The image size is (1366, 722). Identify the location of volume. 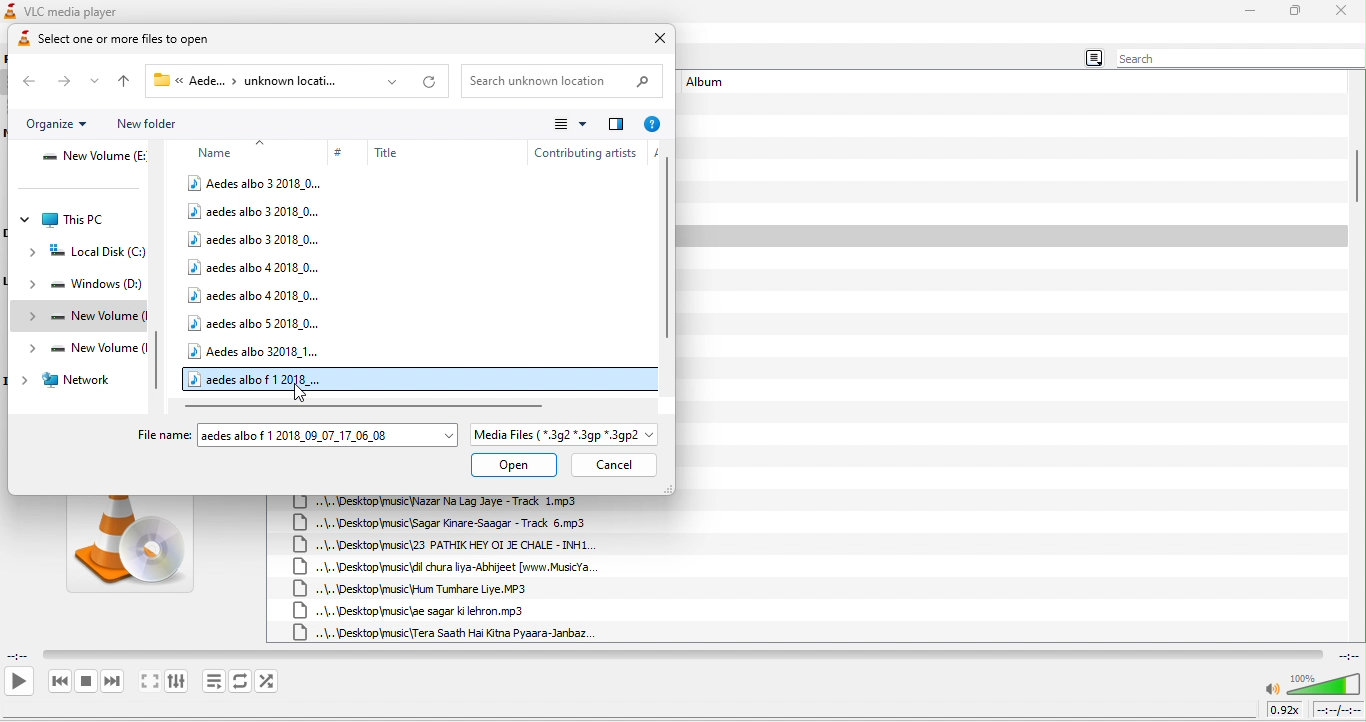
(1324, 684).